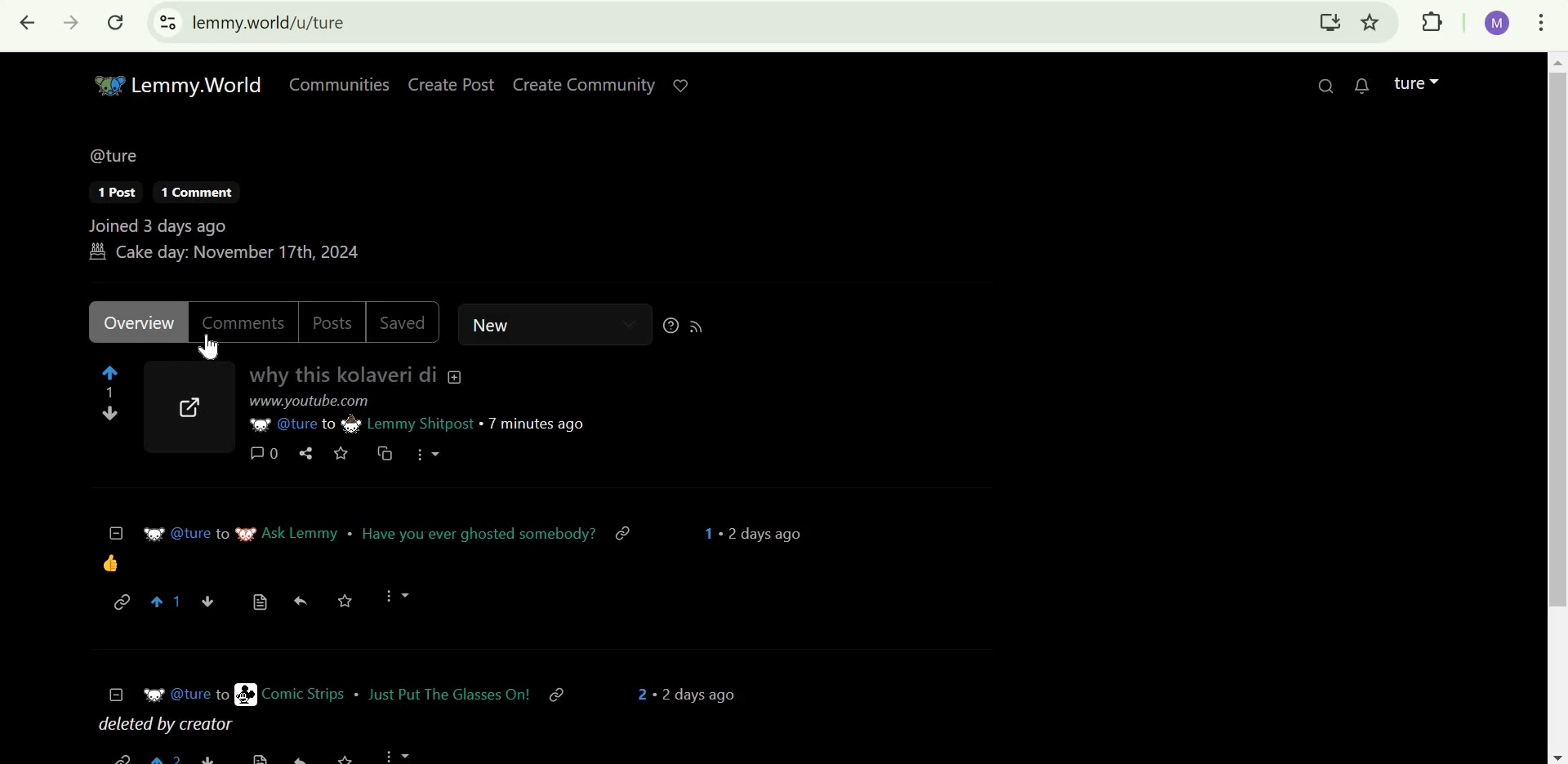 The width and height of the screenshot is (1568, 764). I want to click on community name, so click(400, 425).